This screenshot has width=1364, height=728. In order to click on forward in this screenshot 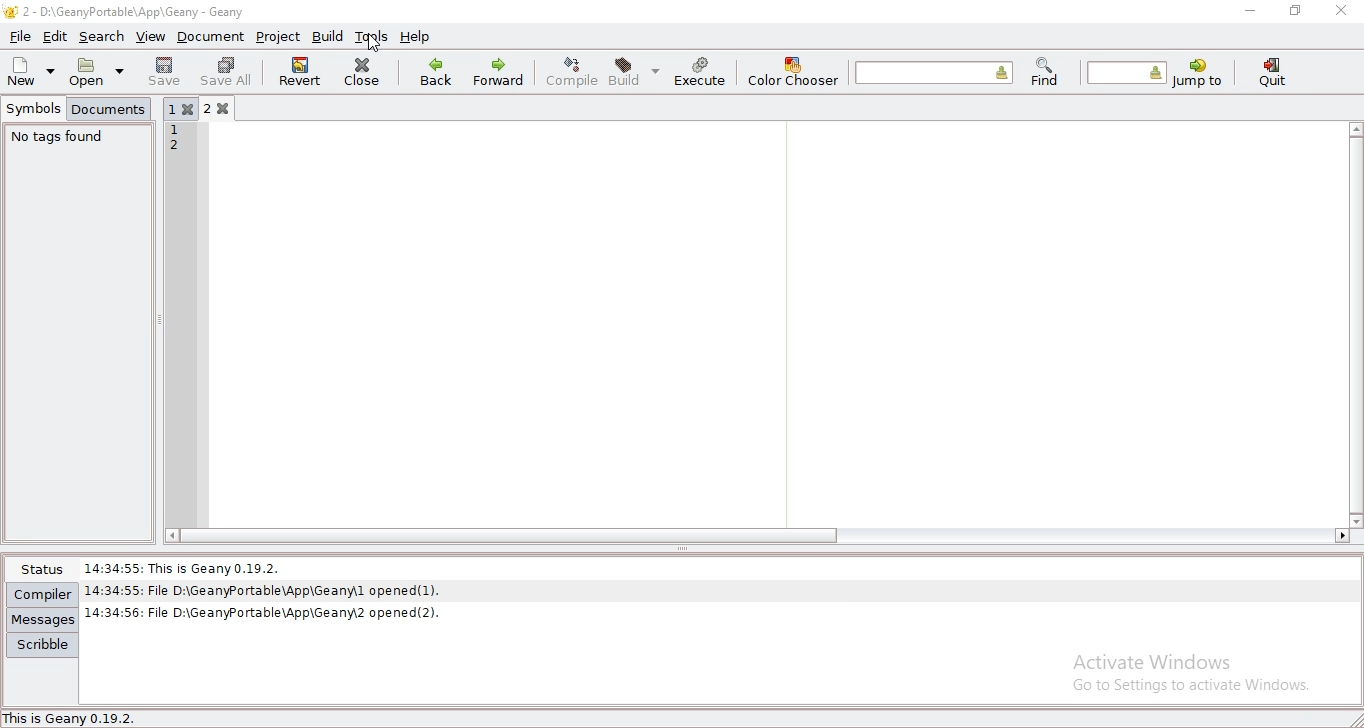, I will do `click(502, 71)`.